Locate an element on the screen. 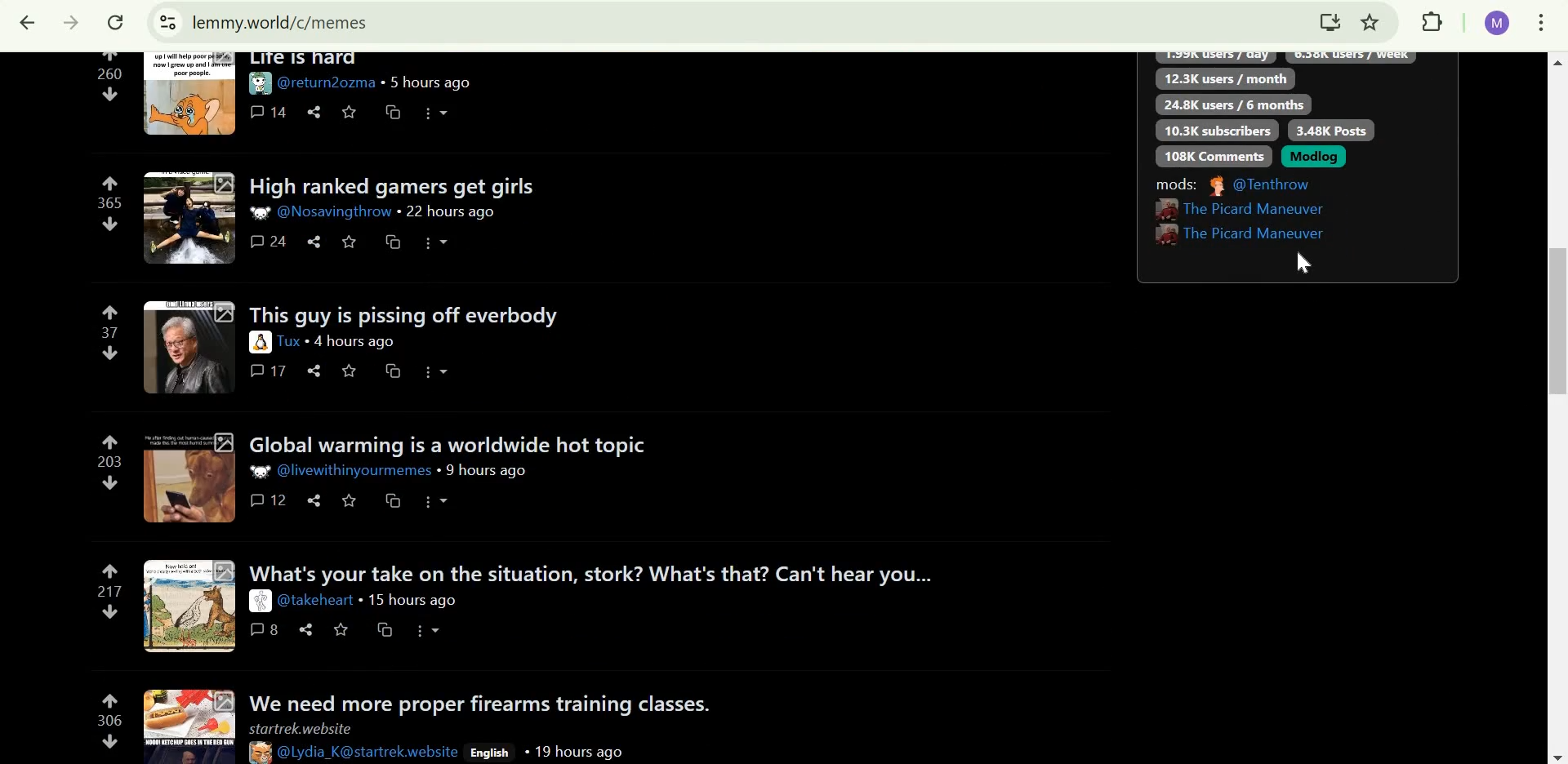  downvote is located at coordinates (109, 614).